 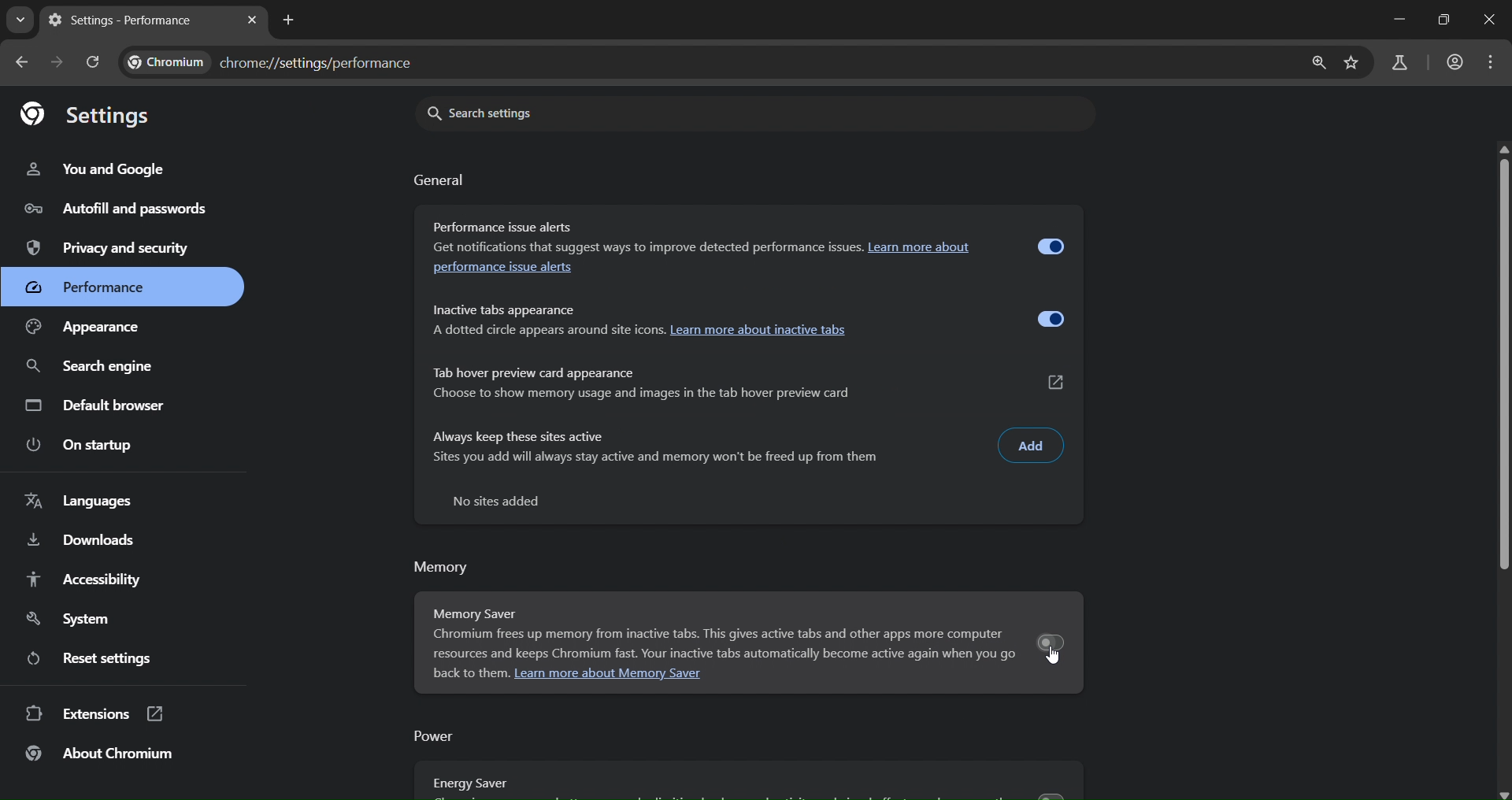 What do you see at coordinates (637, 331) in the screenshot?
I see `about inactive tabs appearance` at bounding box center [637, 331].